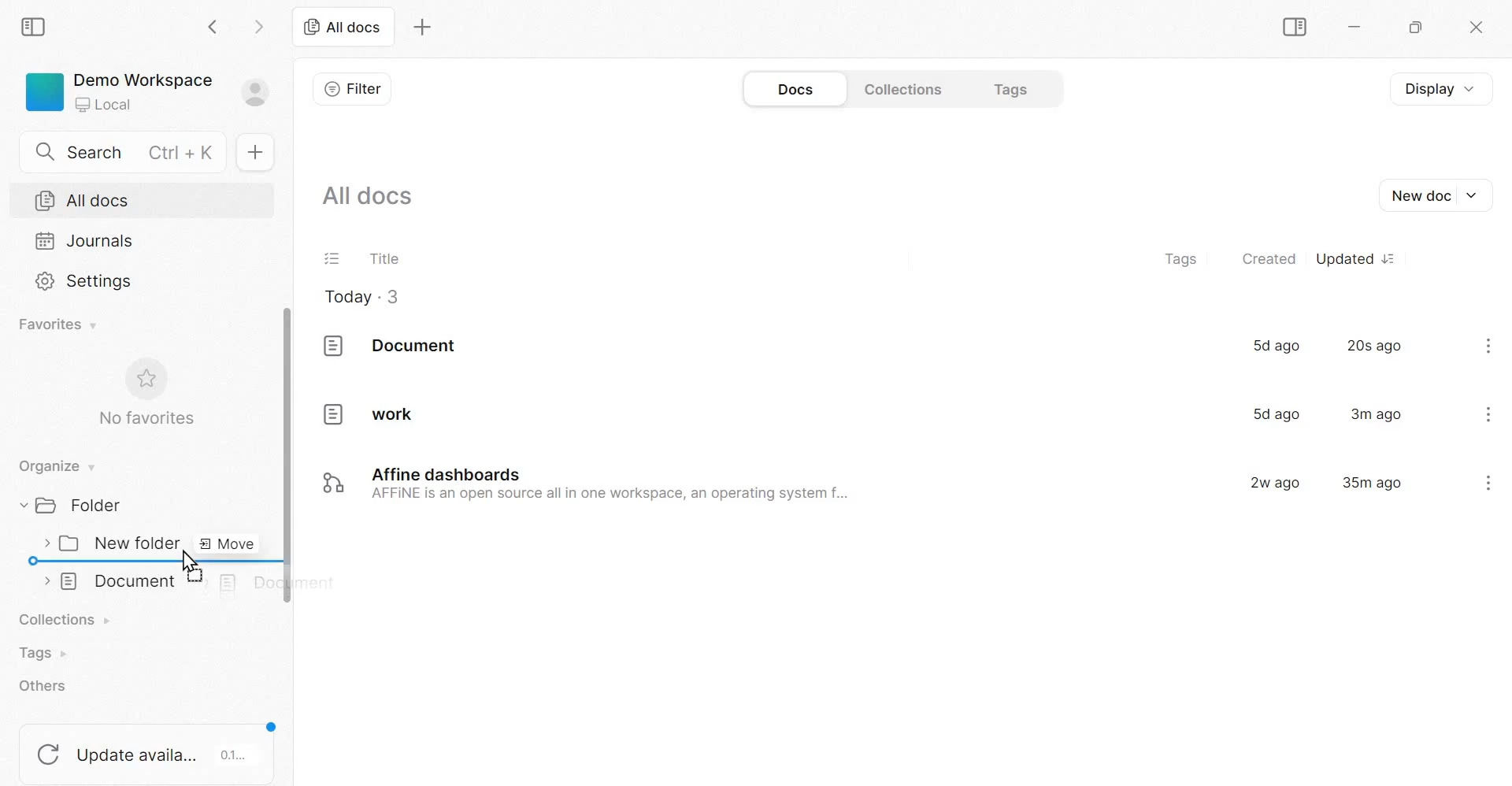 This screenshot has width=1512, height=786. Describe the element at coordinates (147, 749) in the screenshot. I see `update available` at that location.